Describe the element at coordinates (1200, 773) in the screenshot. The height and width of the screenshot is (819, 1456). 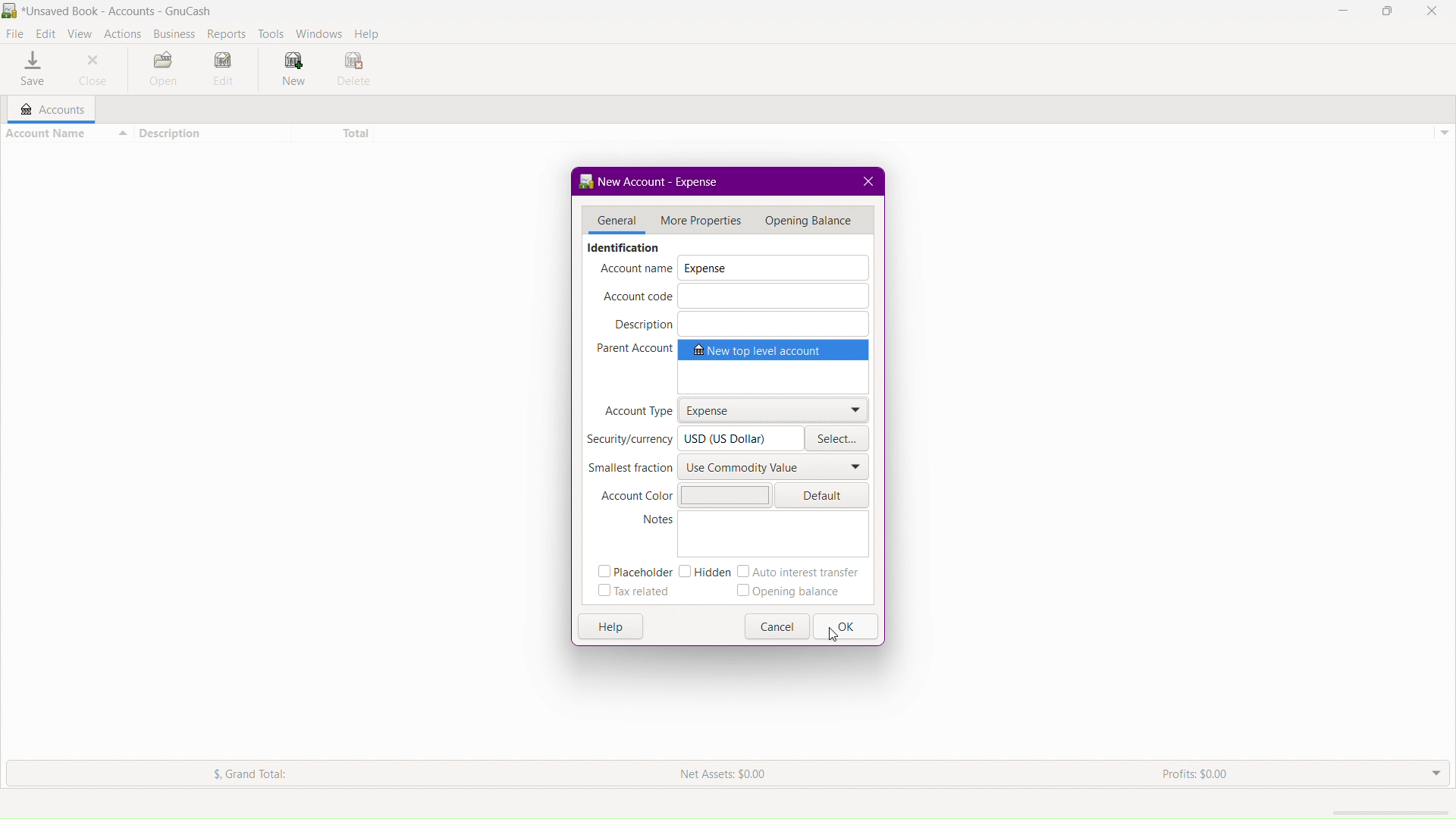
I see `Profits: $0.00` at that location.